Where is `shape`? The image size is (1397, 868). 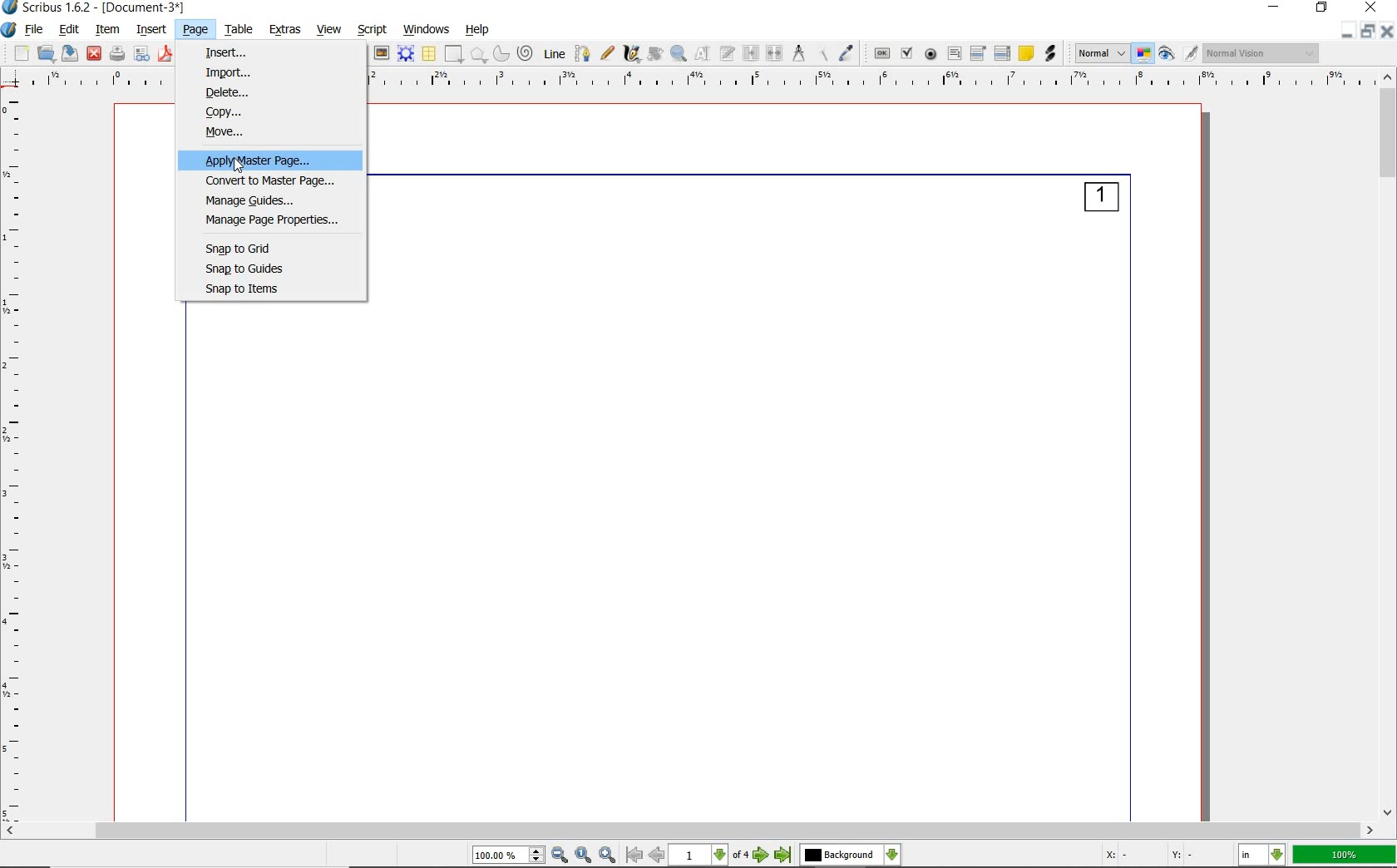
shape is located at coordinates (454, 54).